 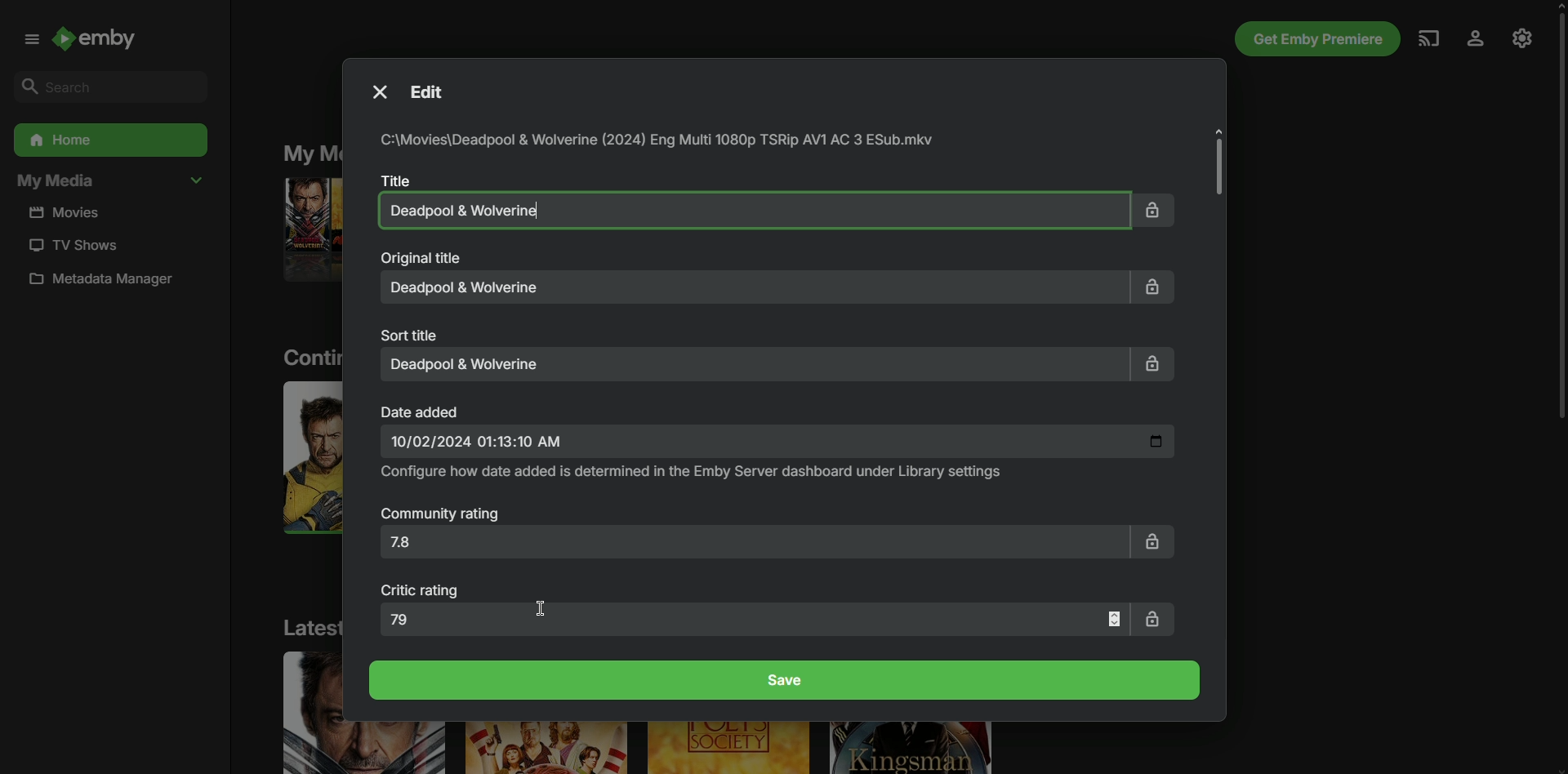 I want to click on Cast, so click(x=1427, y=38).